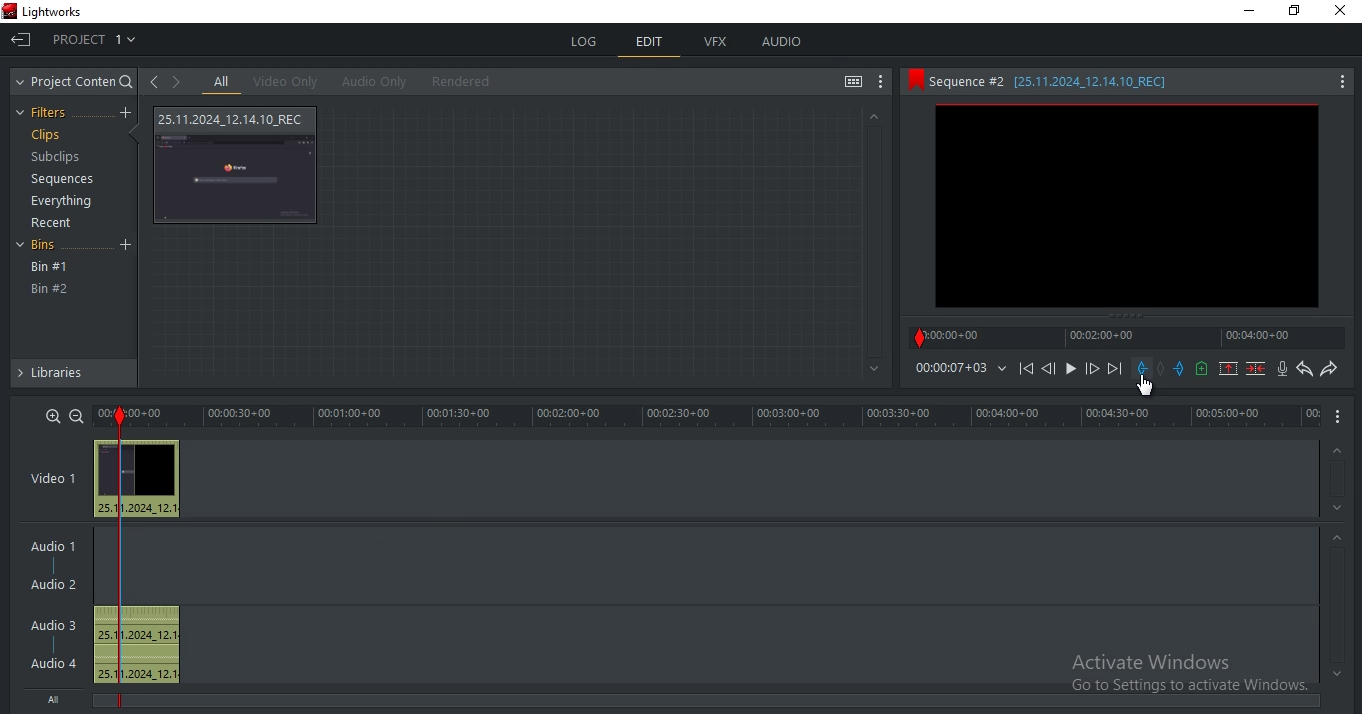 This screenshot has width=1362, height=714. What do you see at coordinates (238, 165) in the screenshot?
I see `video` at bounding box center [238, 165].